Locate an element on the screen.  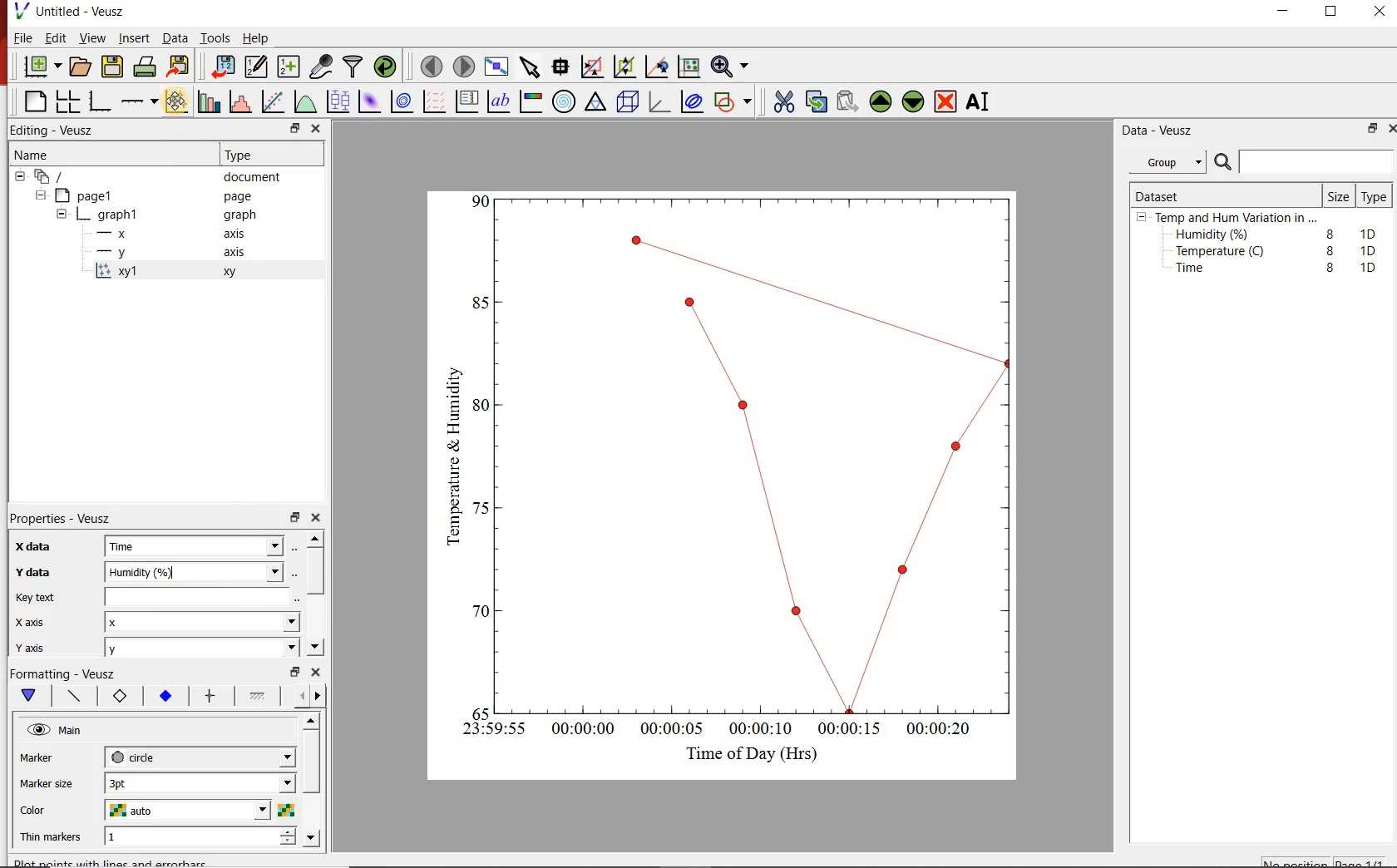
Temperature (C) is located at coordinates (1223, 253).